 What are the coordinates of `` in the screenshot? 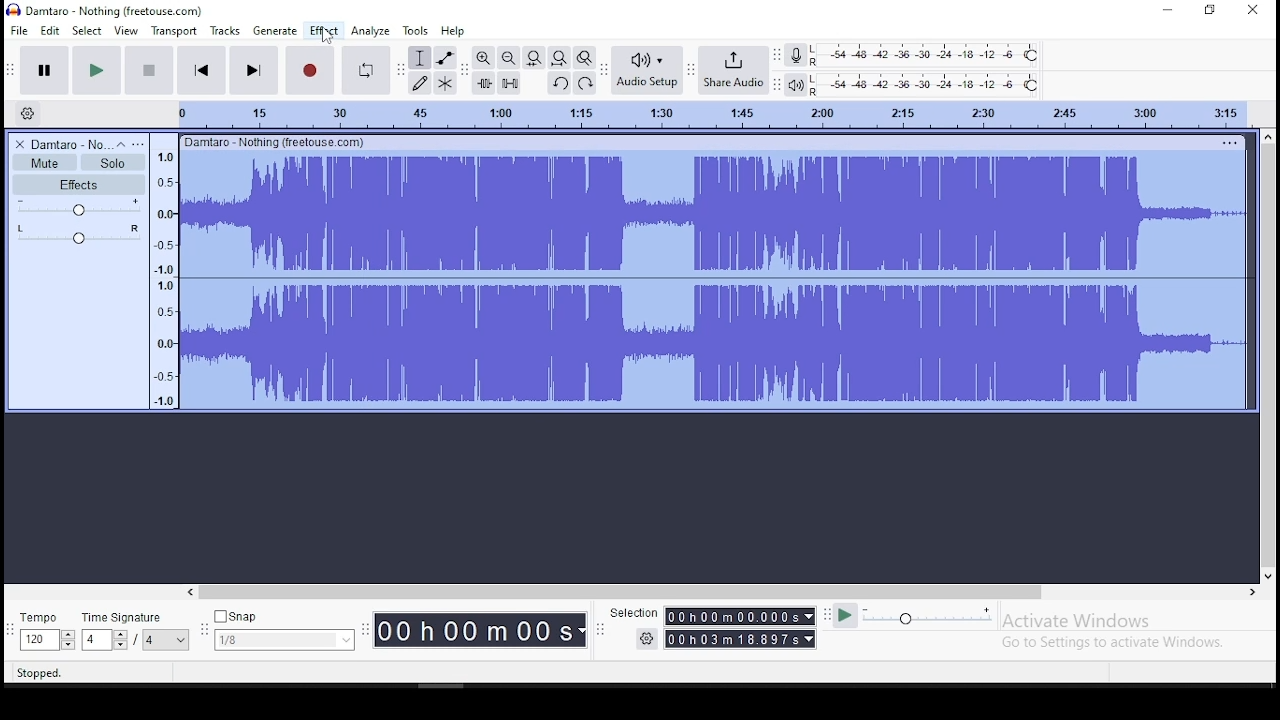 It's located at (12, 630).